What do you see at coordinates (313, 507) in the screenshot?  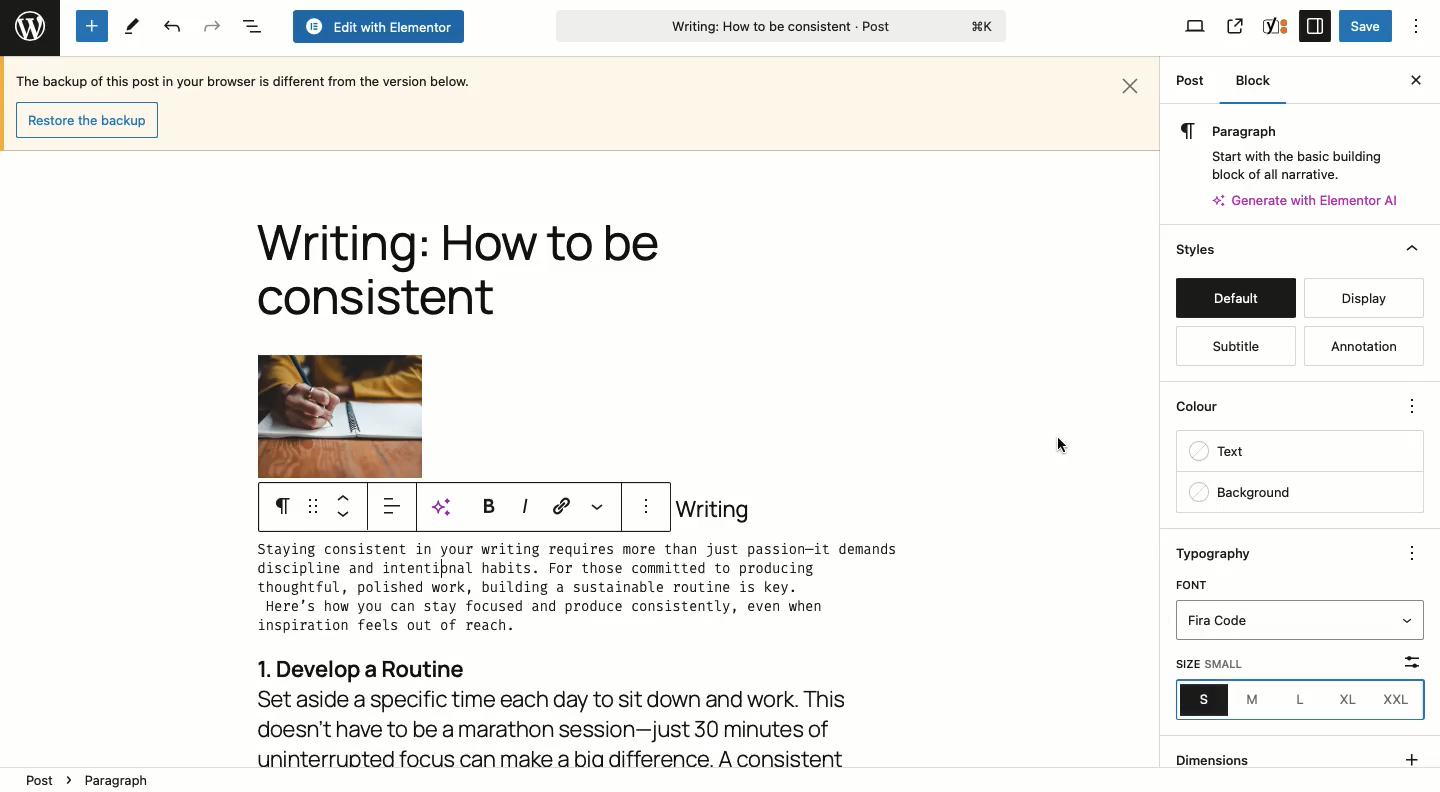 I see `Drag` at bounding box center [313, 507].